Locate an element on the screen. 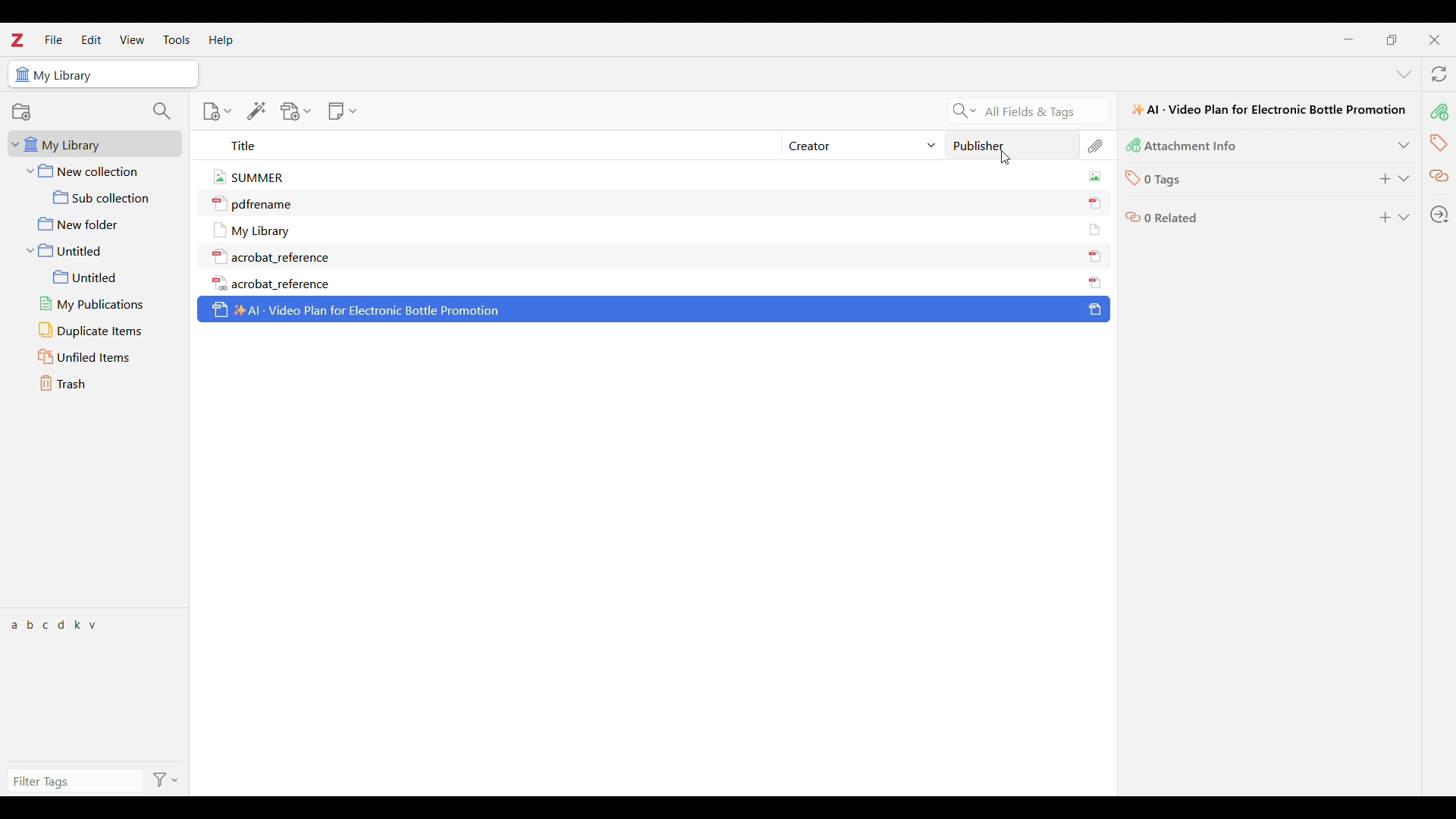  Related is located at coordinates (1438, 177).